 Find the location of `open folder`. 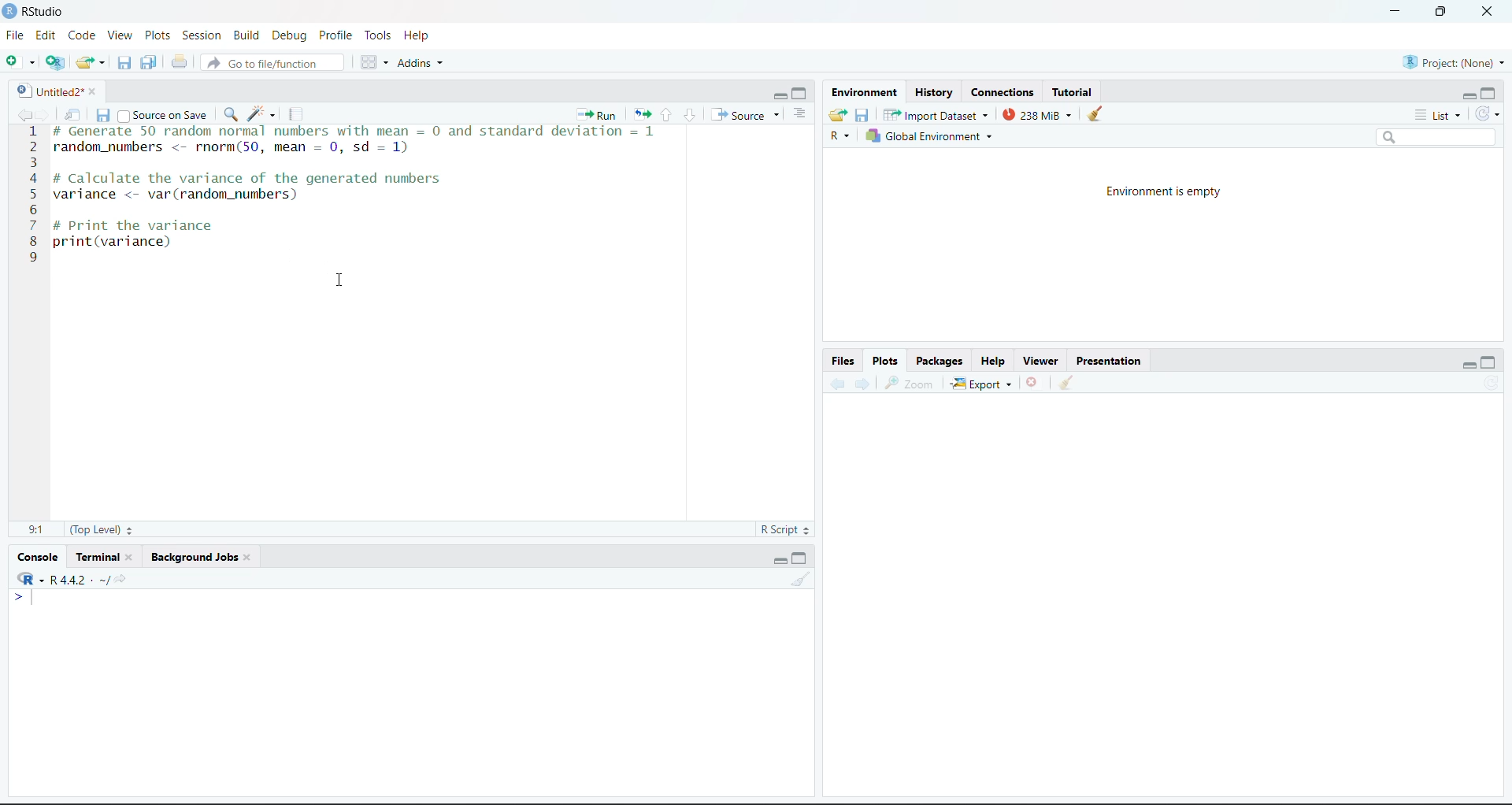

open folder is located at coordinates (839, 115).